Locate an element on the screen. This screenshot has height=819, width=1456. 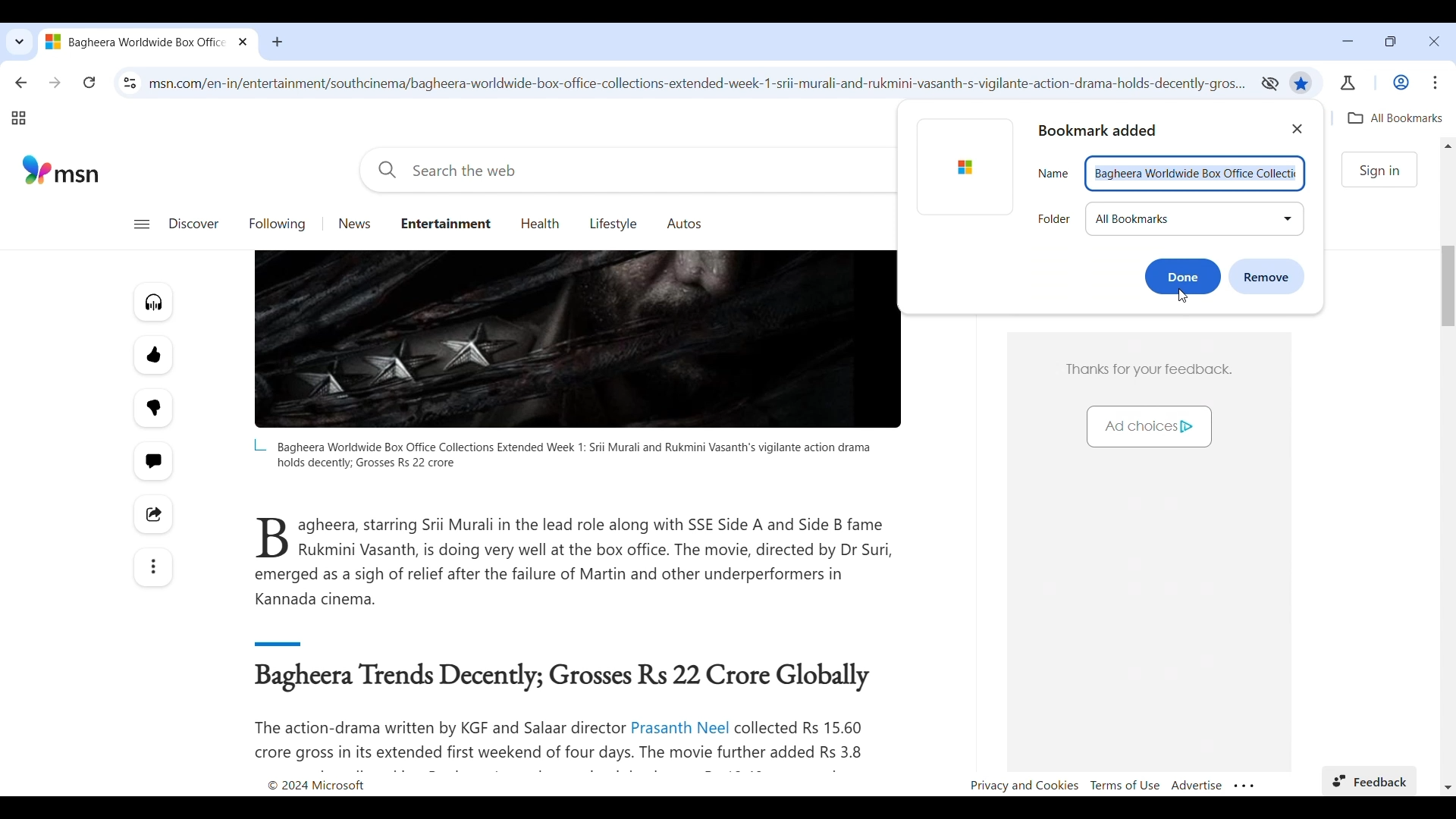
Folder is located at coordinates (1054, 221).